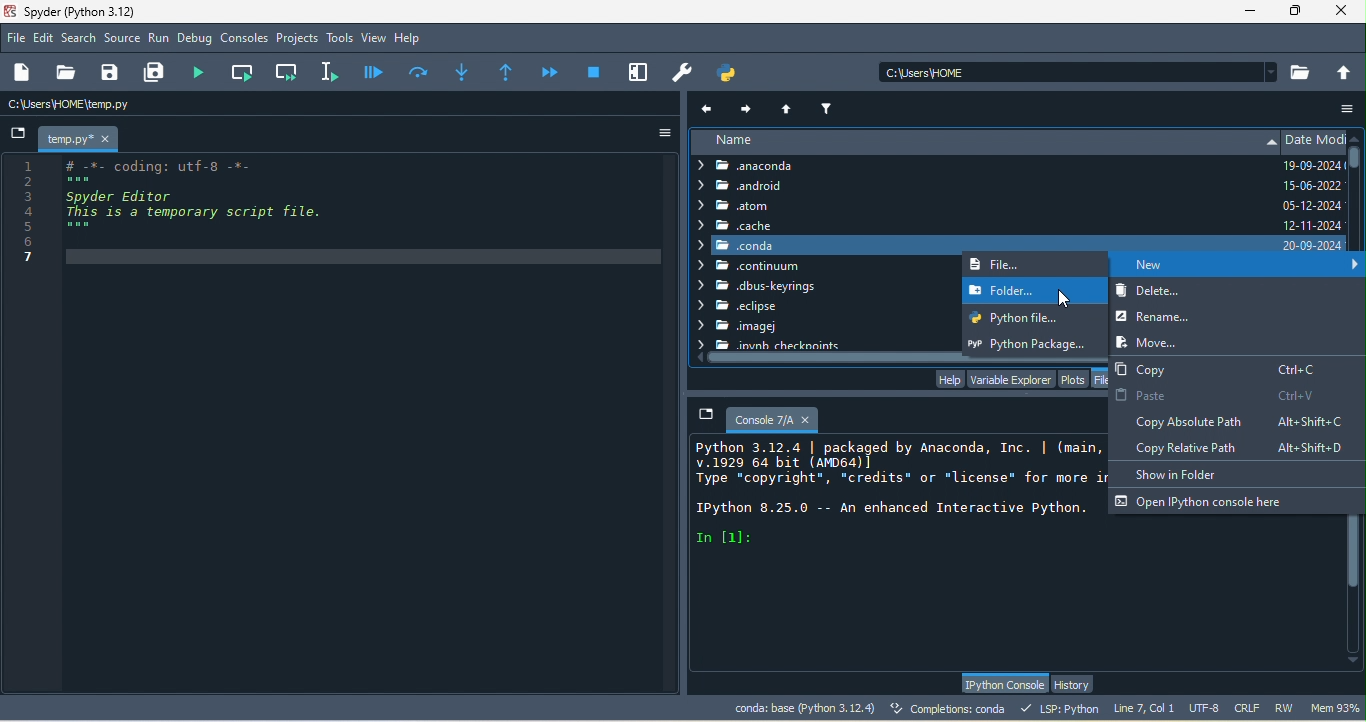  Describe the element at coordinates (762, 417) in the screenshot. I see `console 7/a` at that location.